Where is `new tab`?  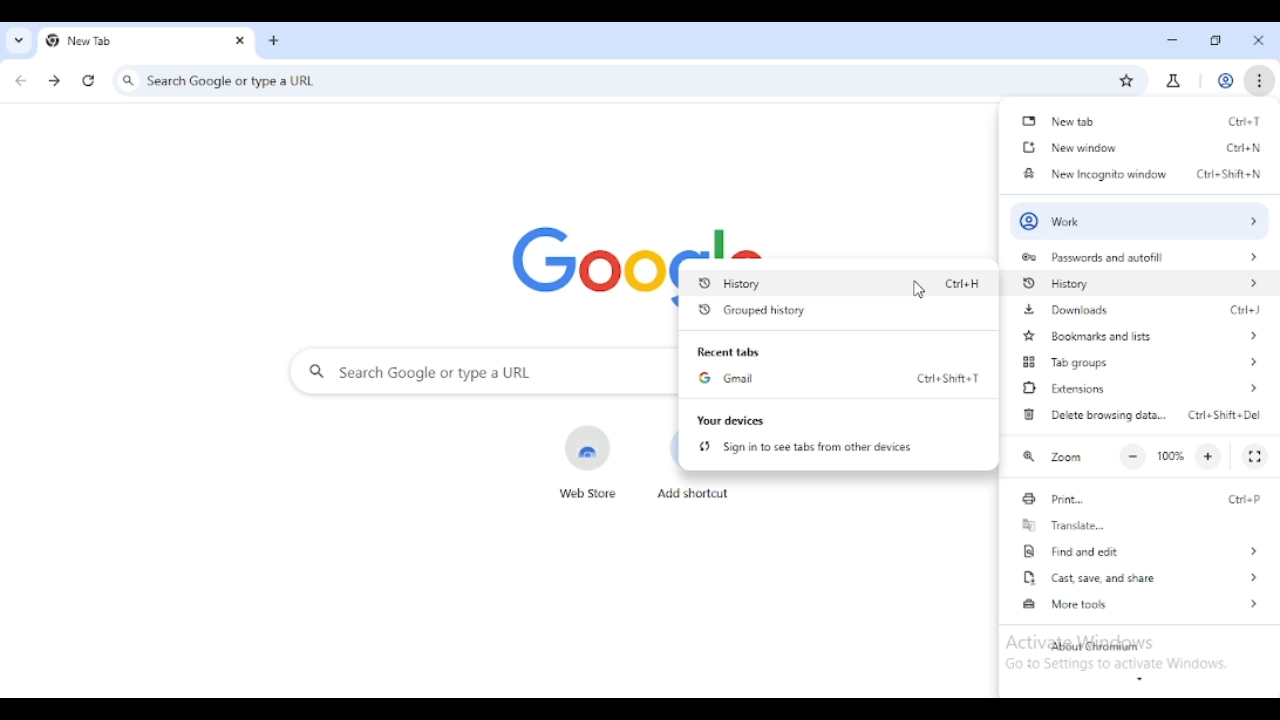 new tab is located at coordinates (125, 40).